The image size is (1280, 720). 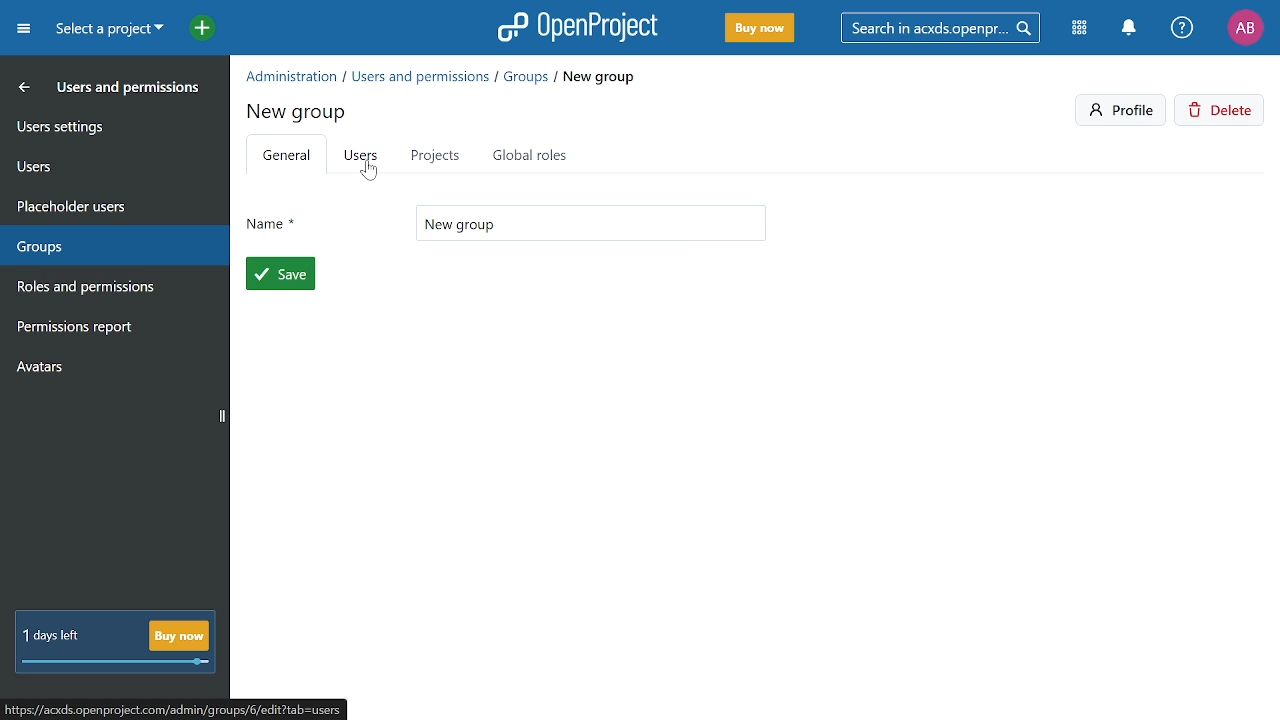 What do you see at coordinates (192, 27) in the screenshot?
I see `Open quick add menu` at bounding box center [192, 27].